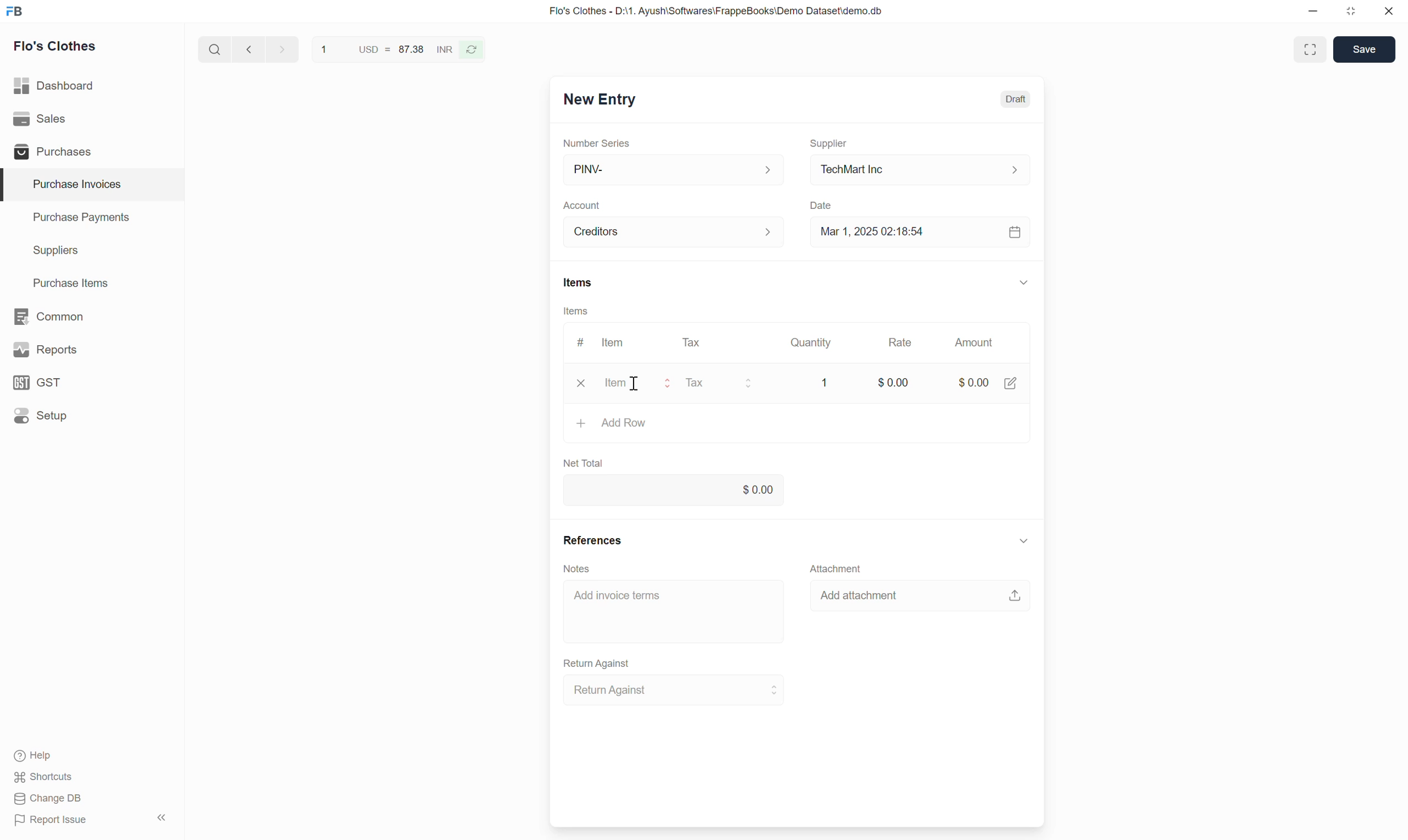 The width and height of the screenshot is (1408, 840). What do you see at coordinates (1389, 11) in the screenshot?
I see `Close` at bounding box center [1389, 11].